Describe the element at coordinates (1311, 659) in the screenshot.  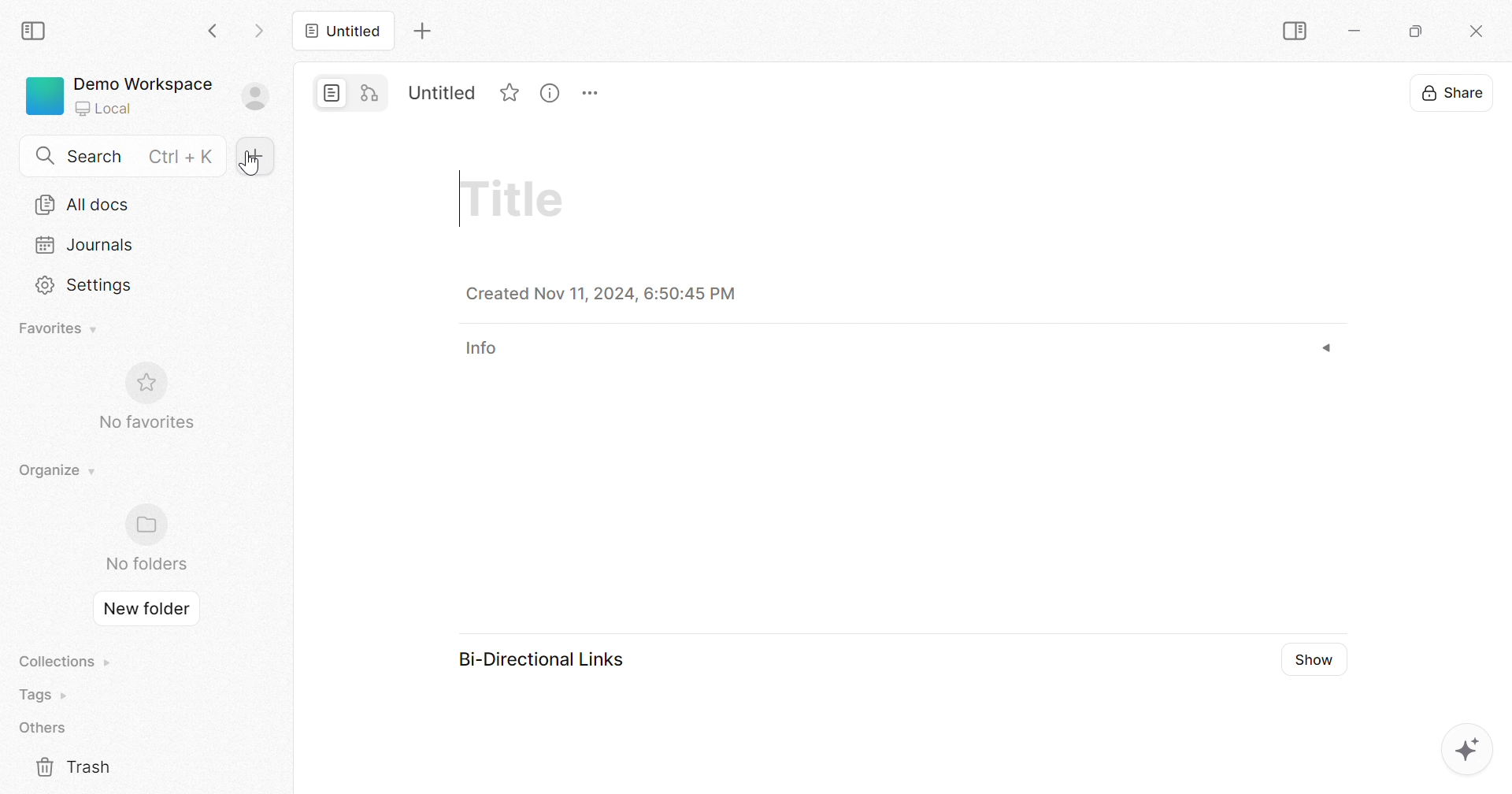
I see `Show` at that location.